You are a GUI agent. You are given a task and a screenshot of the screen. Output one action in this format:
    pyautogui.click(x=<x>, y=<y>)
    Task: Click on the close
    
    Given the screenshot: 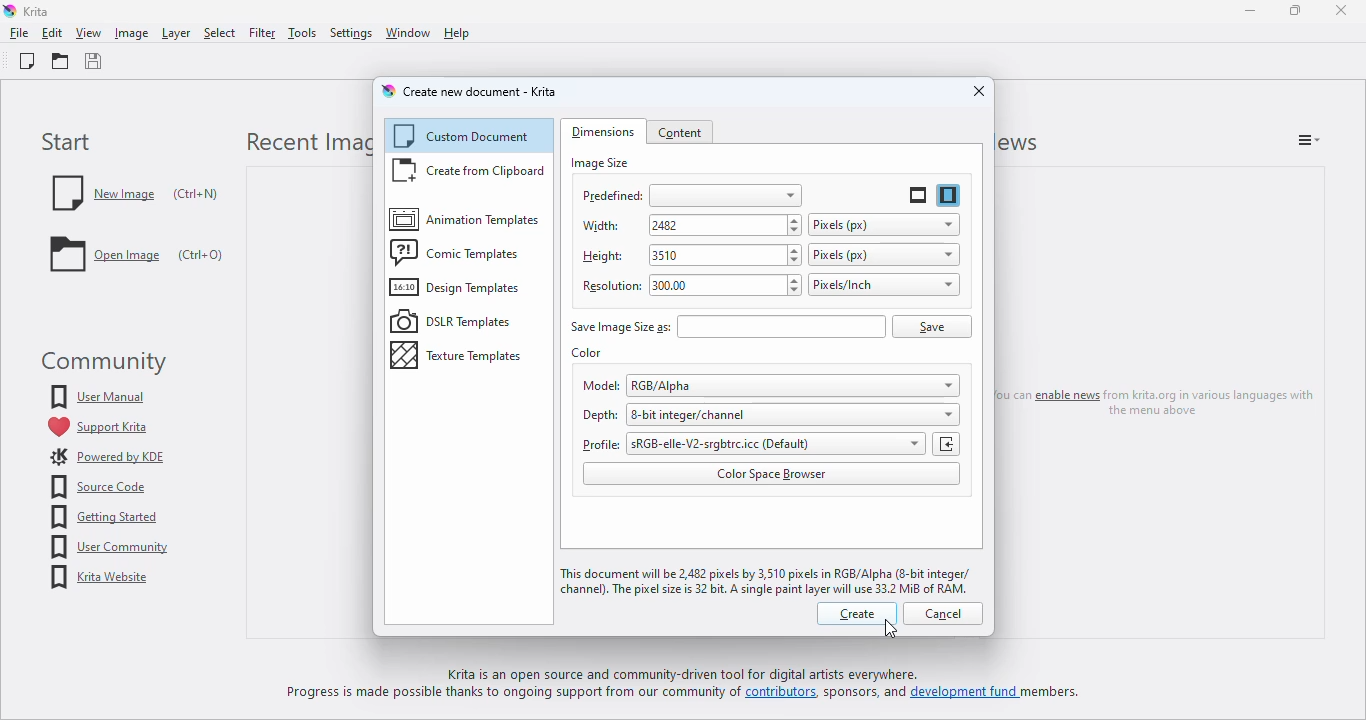 What is the action you would take?
    pyautogui.click(x=979, y=91)
    